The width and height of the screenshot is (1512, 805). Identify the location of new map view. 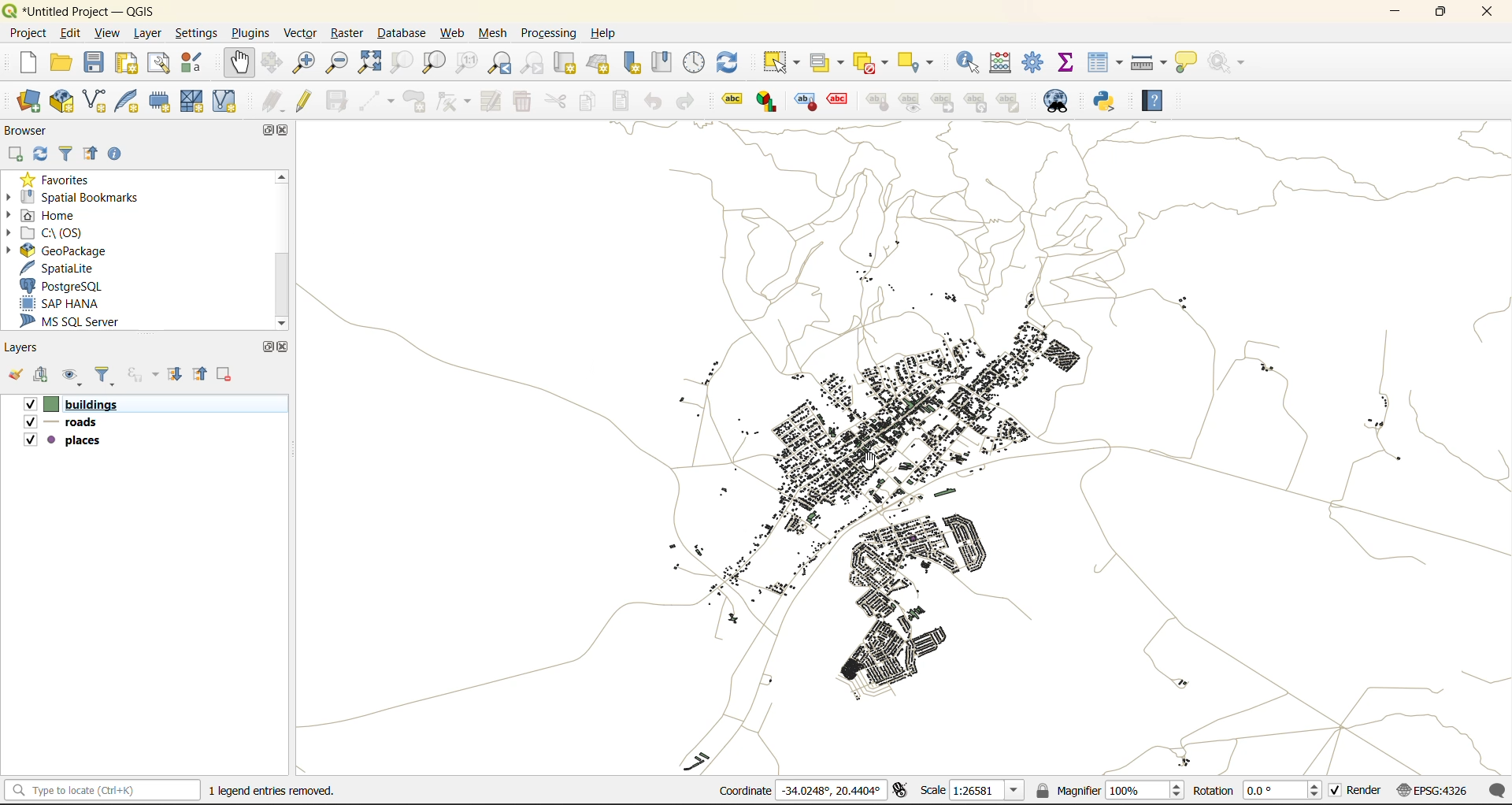
(570, 64).